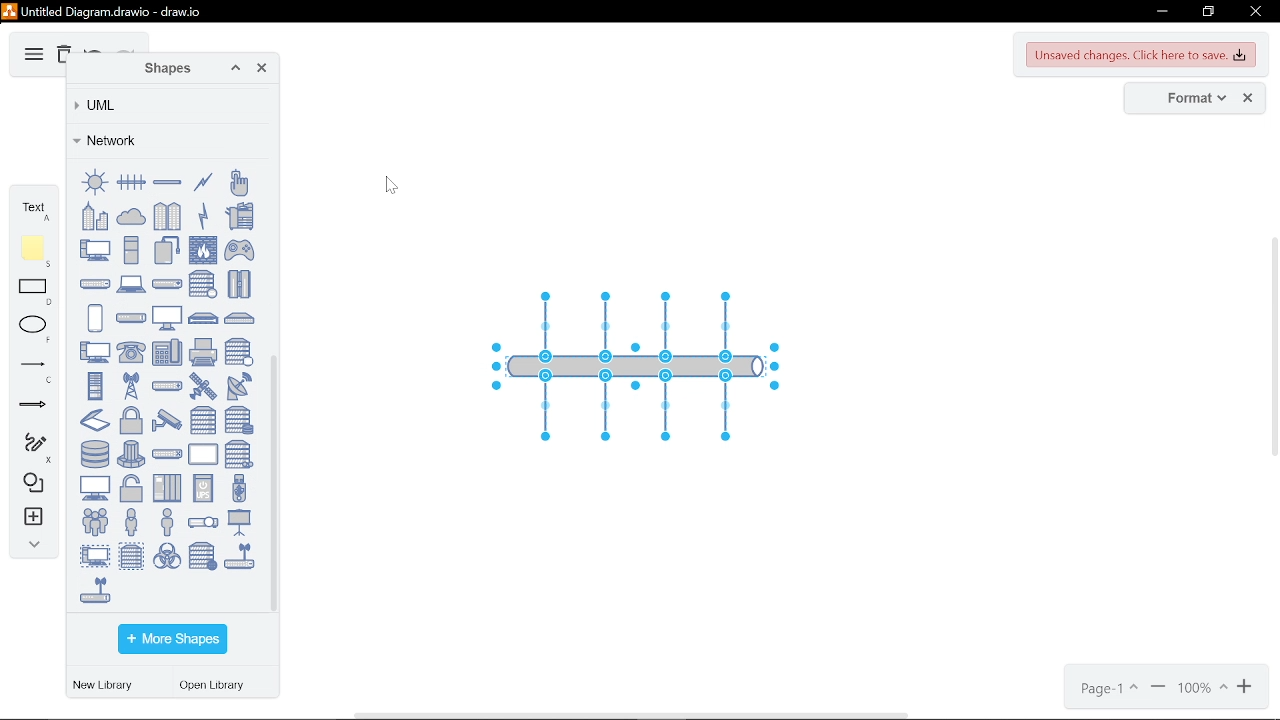 This screenshot has height=720, width=1280. I want to click on page, so click(1107, 689).